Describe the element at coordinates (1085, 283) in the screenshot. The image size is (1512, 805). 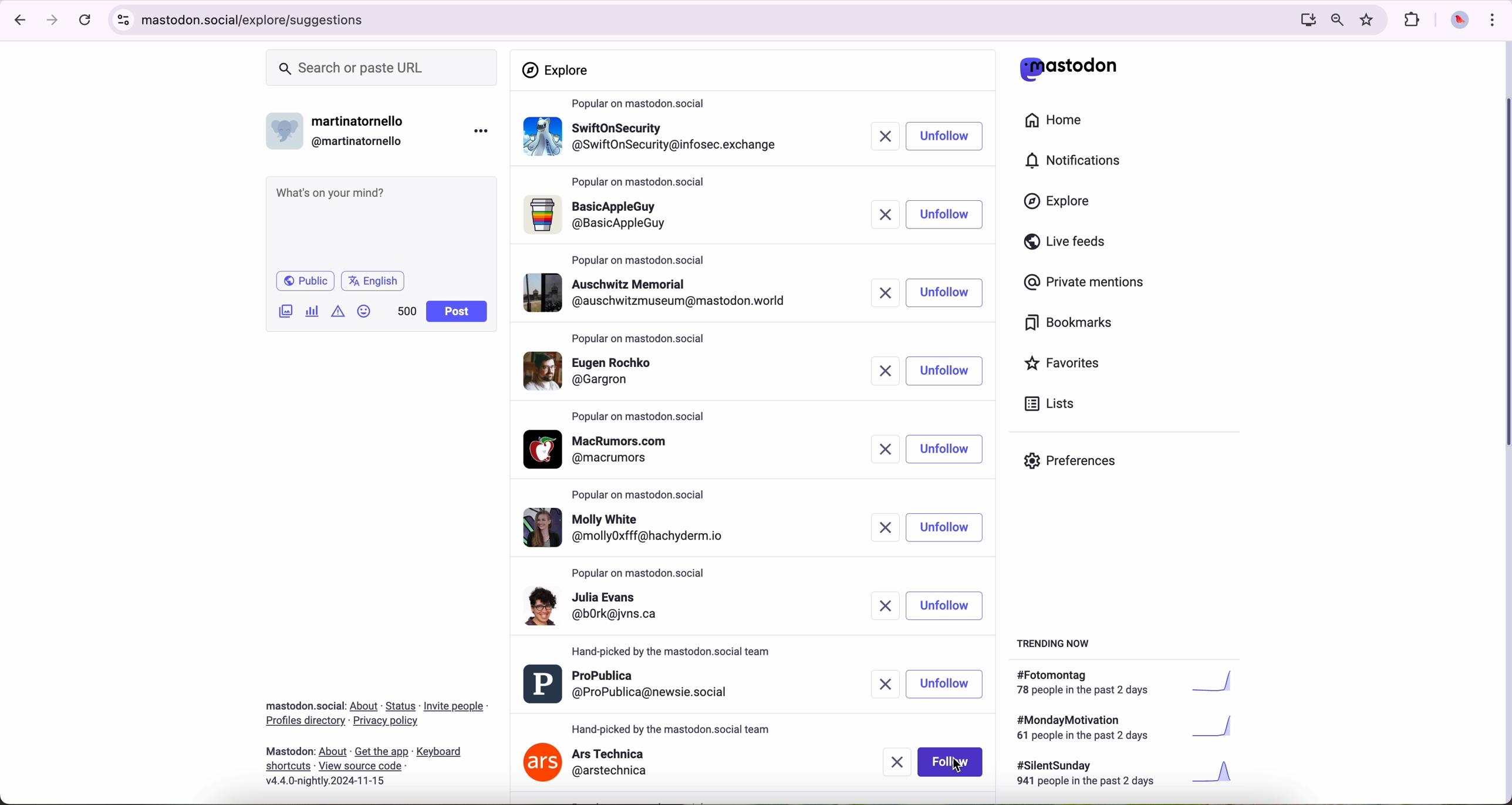
I see `private mentions` at that location.